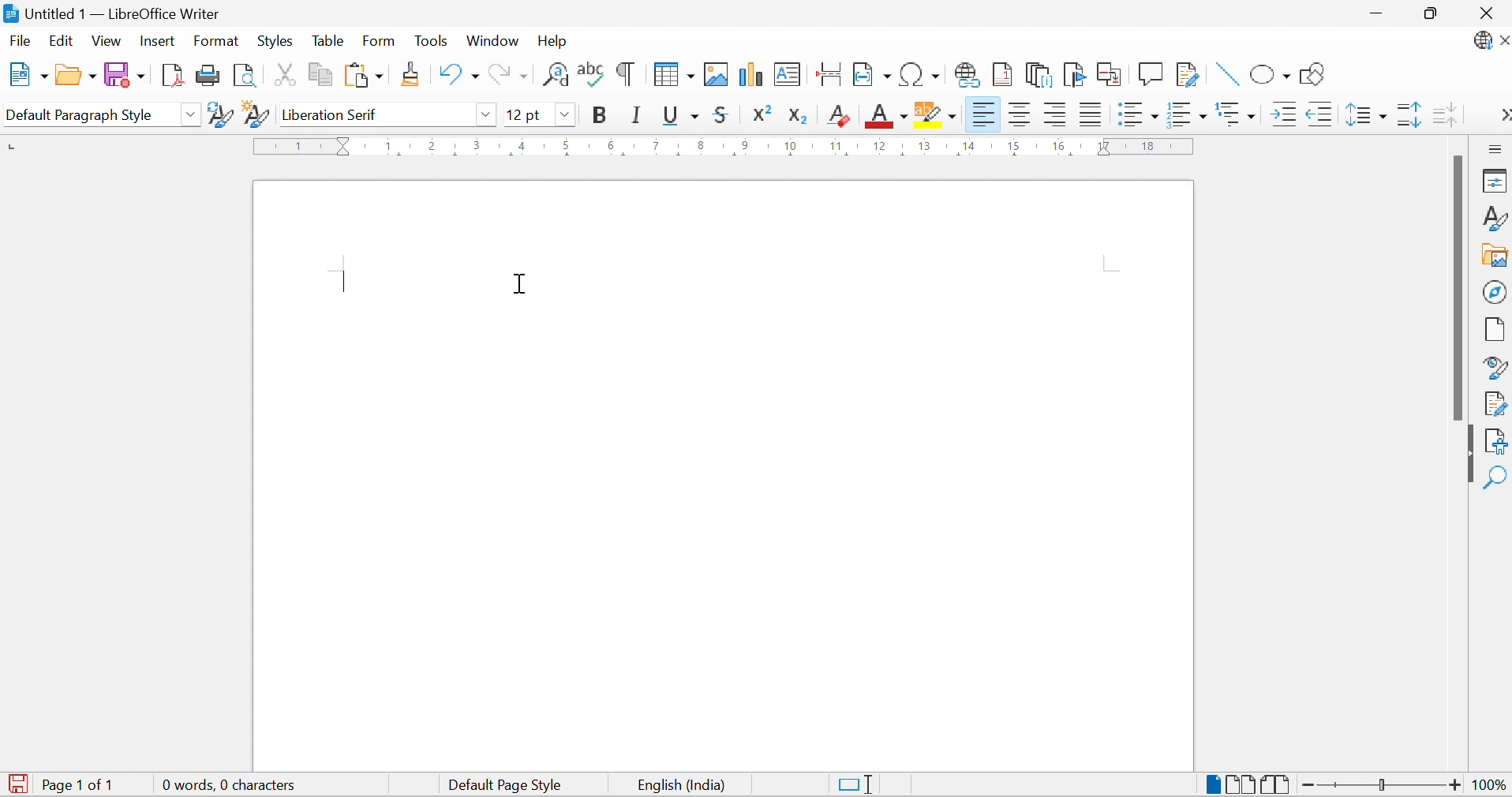  I want to click on Check Spelling, so click(591, 75).